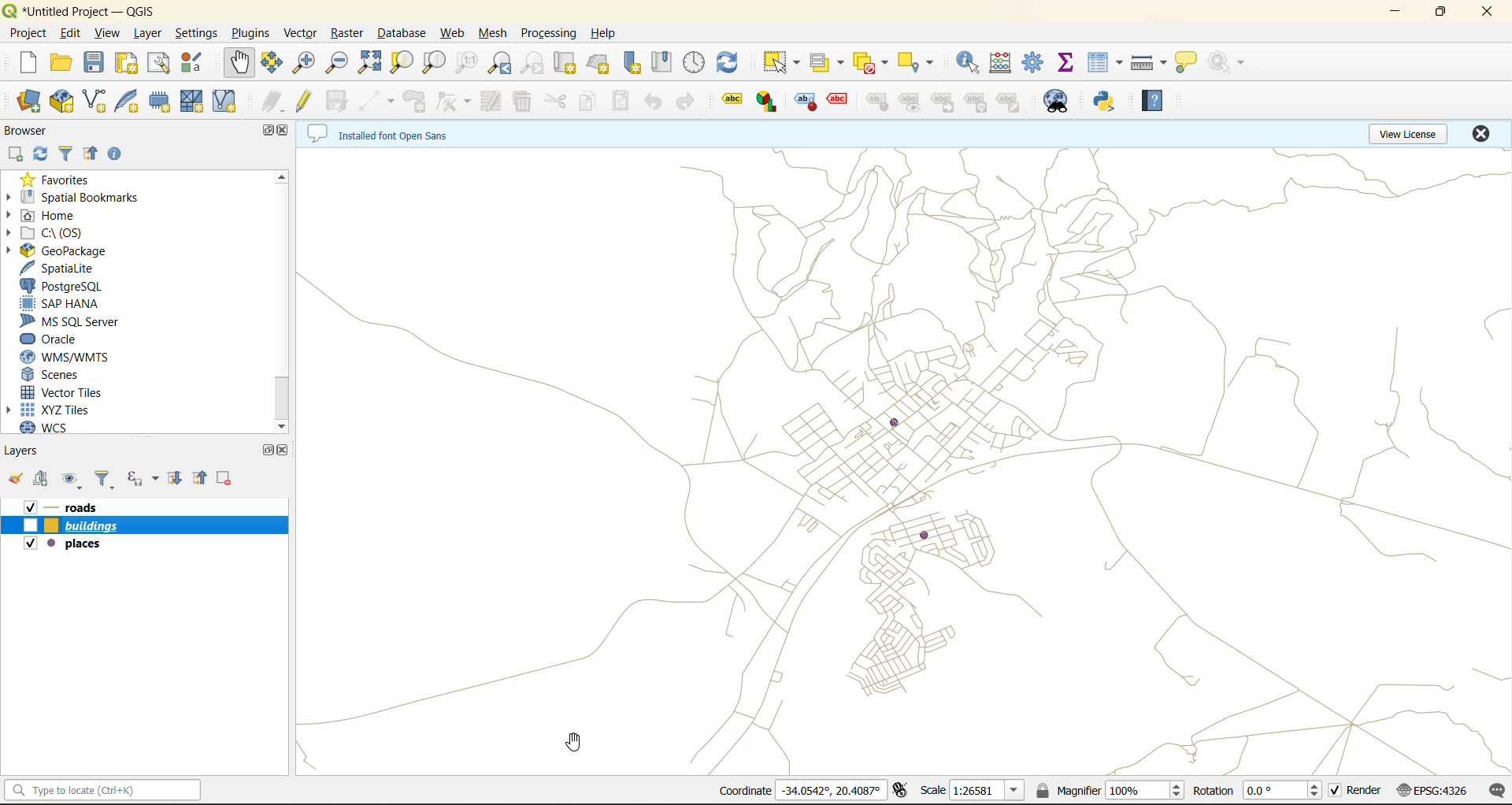  I want to click on python, so click(1108, 102).